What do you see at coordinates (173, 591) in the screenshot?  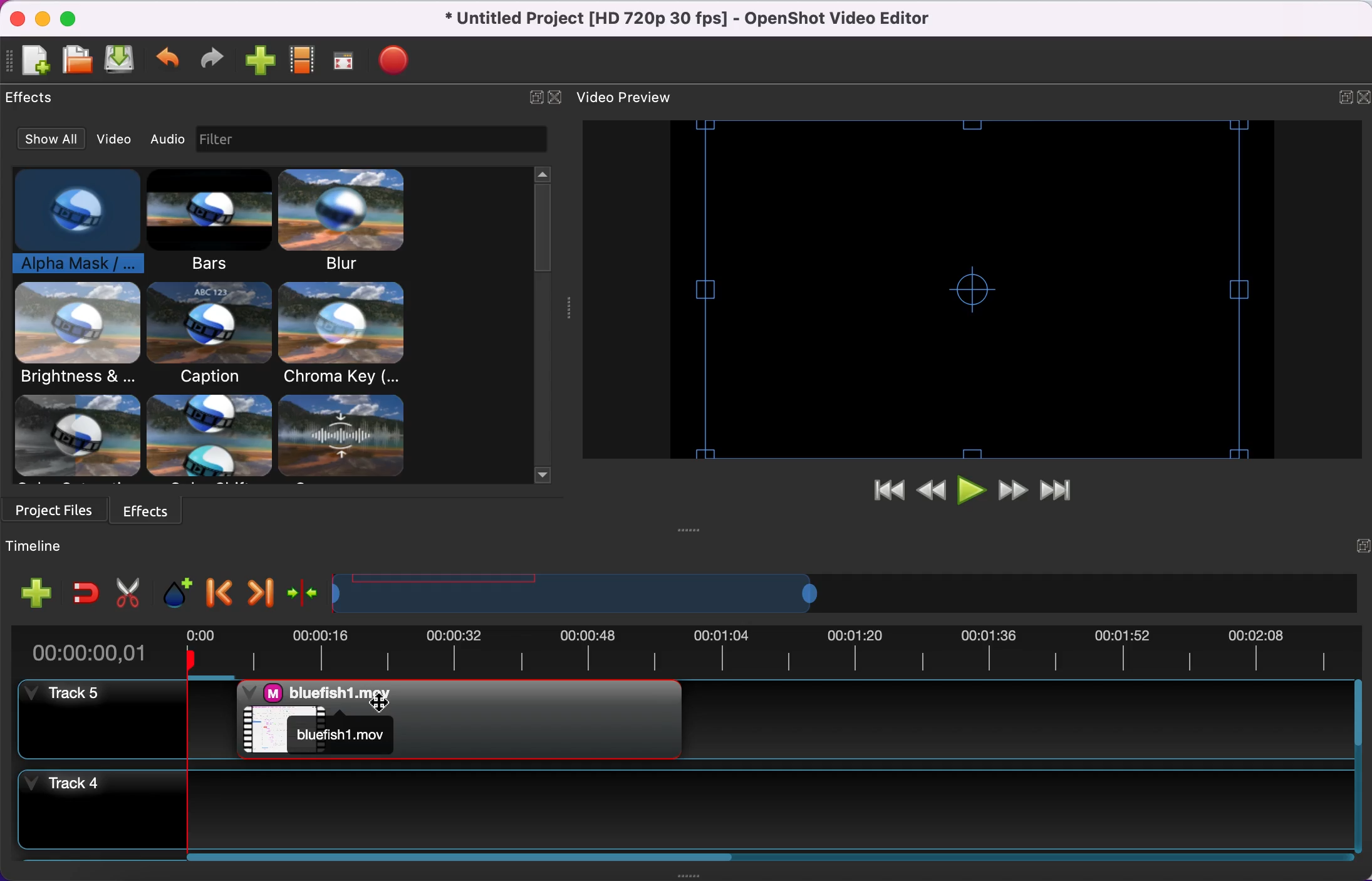 I see `add marker` at bounding box center [173, 591].